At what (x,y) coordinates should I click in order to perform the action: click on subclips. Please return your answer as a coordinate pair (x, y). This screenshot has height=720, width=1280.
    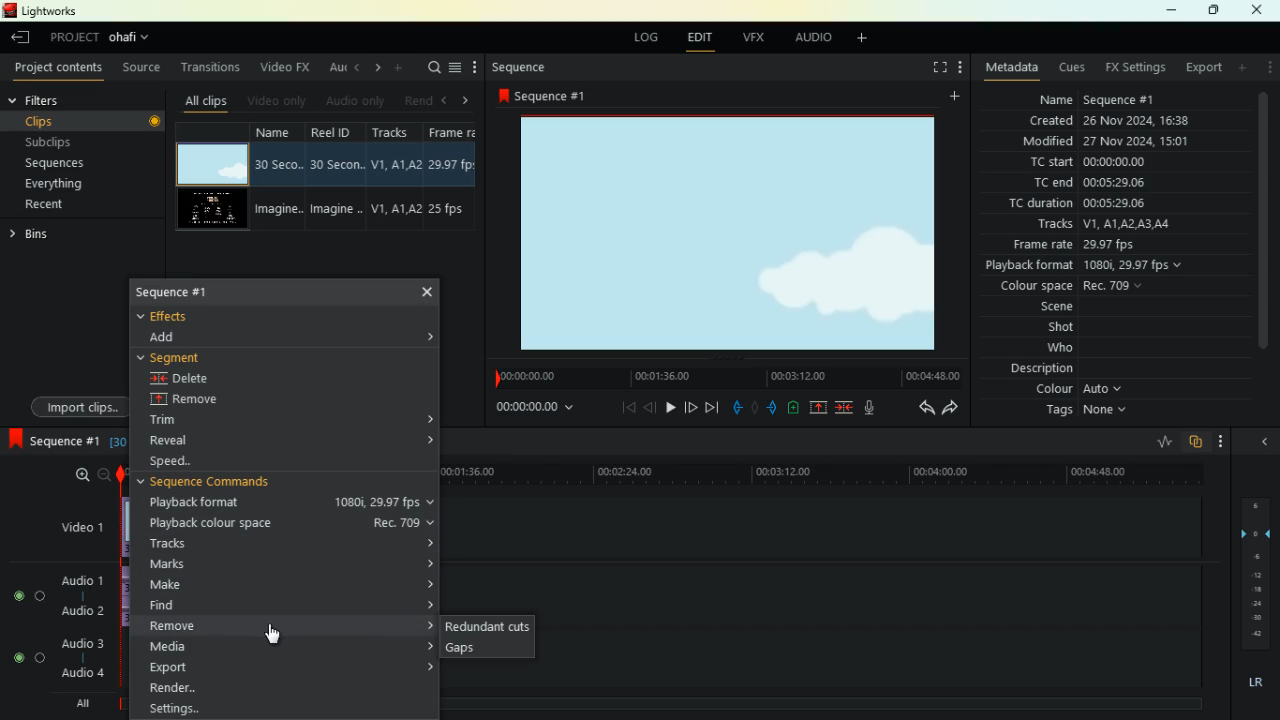
    Looking at the image, I should click on (64, 142).